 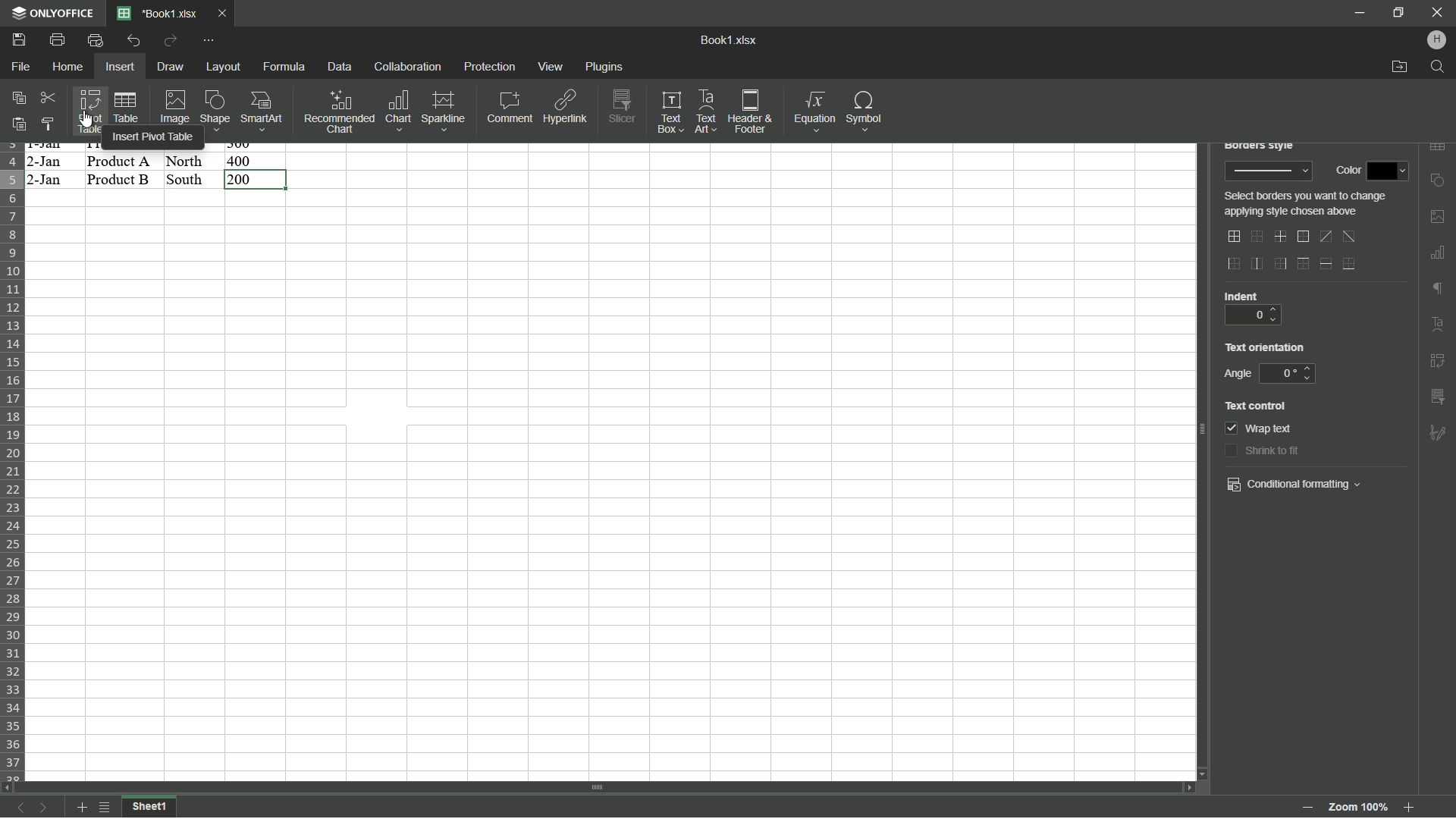 I want to click on wrap text, so click(x=1258, y=428).